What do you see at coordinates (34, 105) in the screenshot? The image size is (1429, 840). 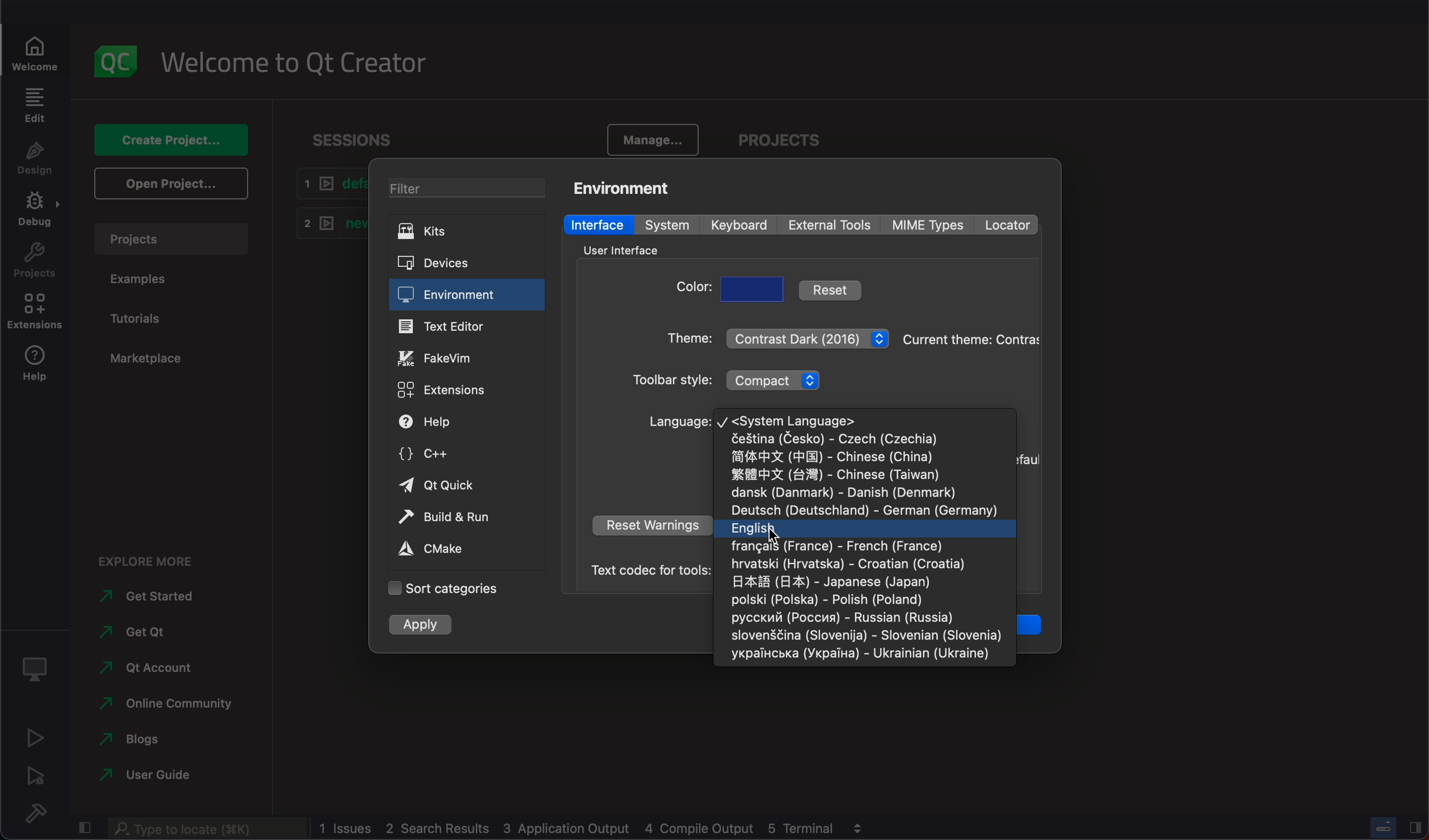 I see `edit` at bounding box center [34, 105].